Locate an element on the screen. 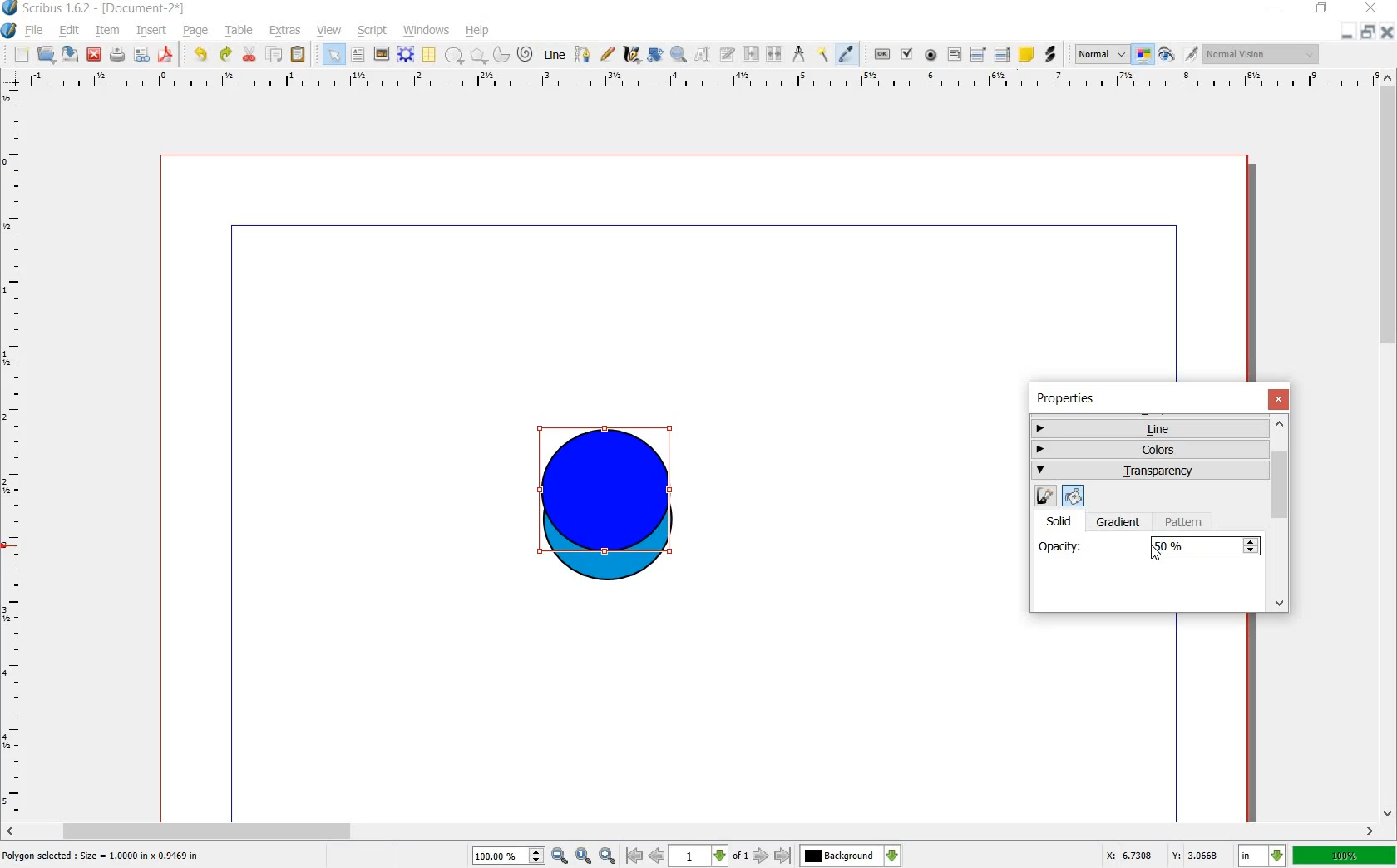 The height and width of the screenshot is (868, 1397). print is located at coordinates (118, 55).